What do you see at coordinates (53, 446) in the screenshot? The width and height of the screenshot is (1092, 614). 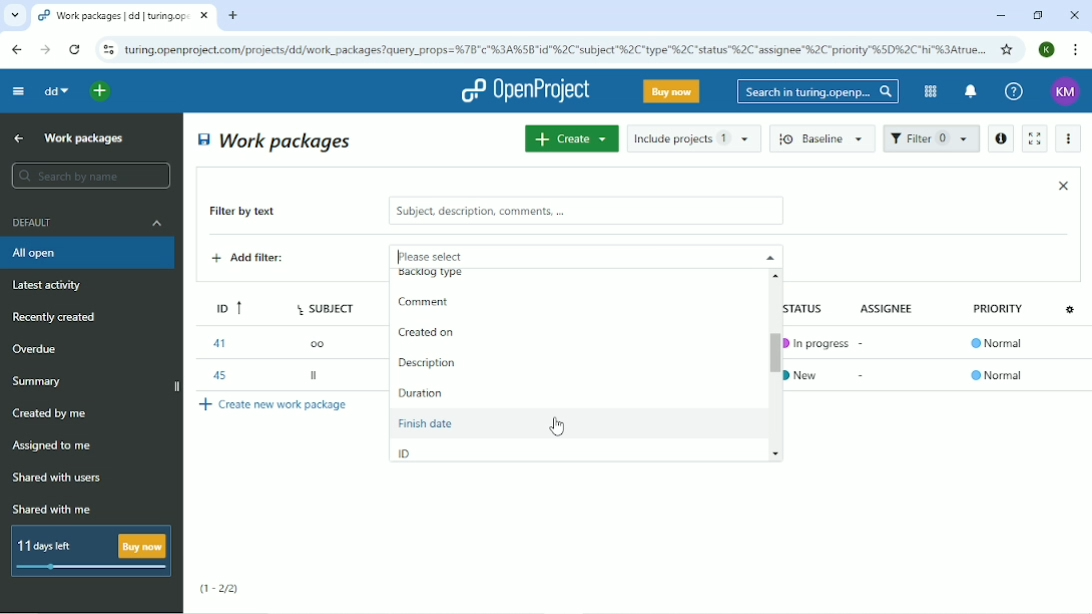 I see `Assigned to me` at bounding box center [53, 446].